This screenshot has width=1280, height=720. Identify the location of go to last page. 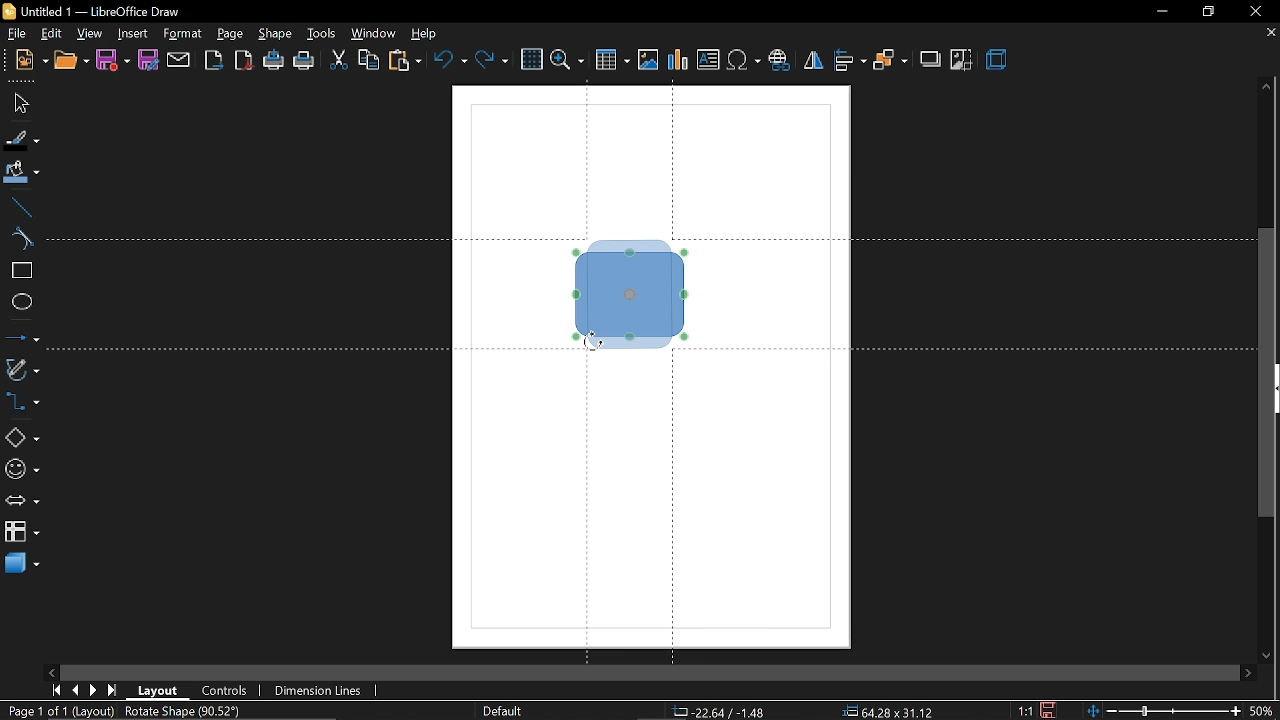
(114, 691).